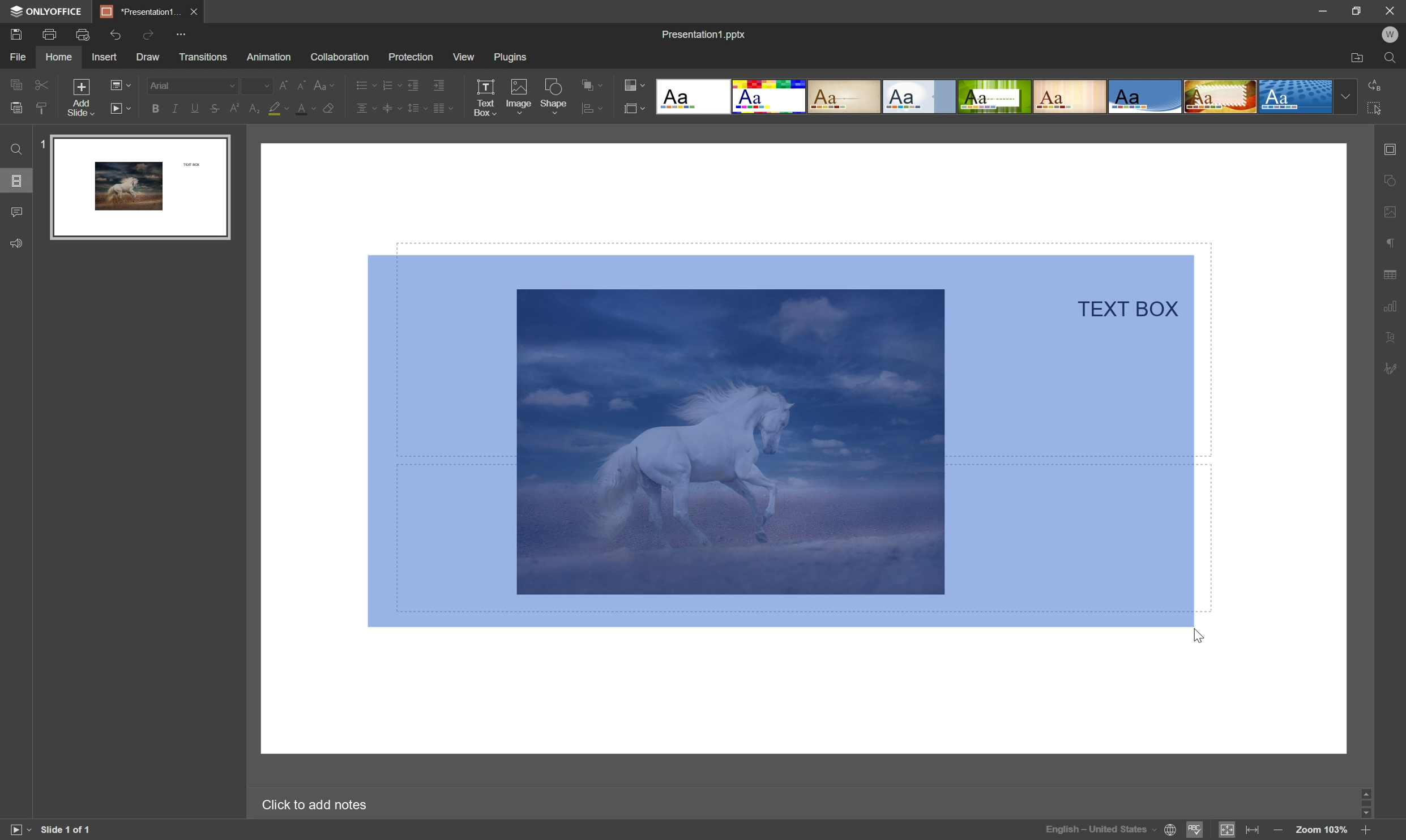 This screenshot has width=1406, height=840. Describe the element at coordinates (1297, 98) in the screenshot. I see `Dotted` at that location.